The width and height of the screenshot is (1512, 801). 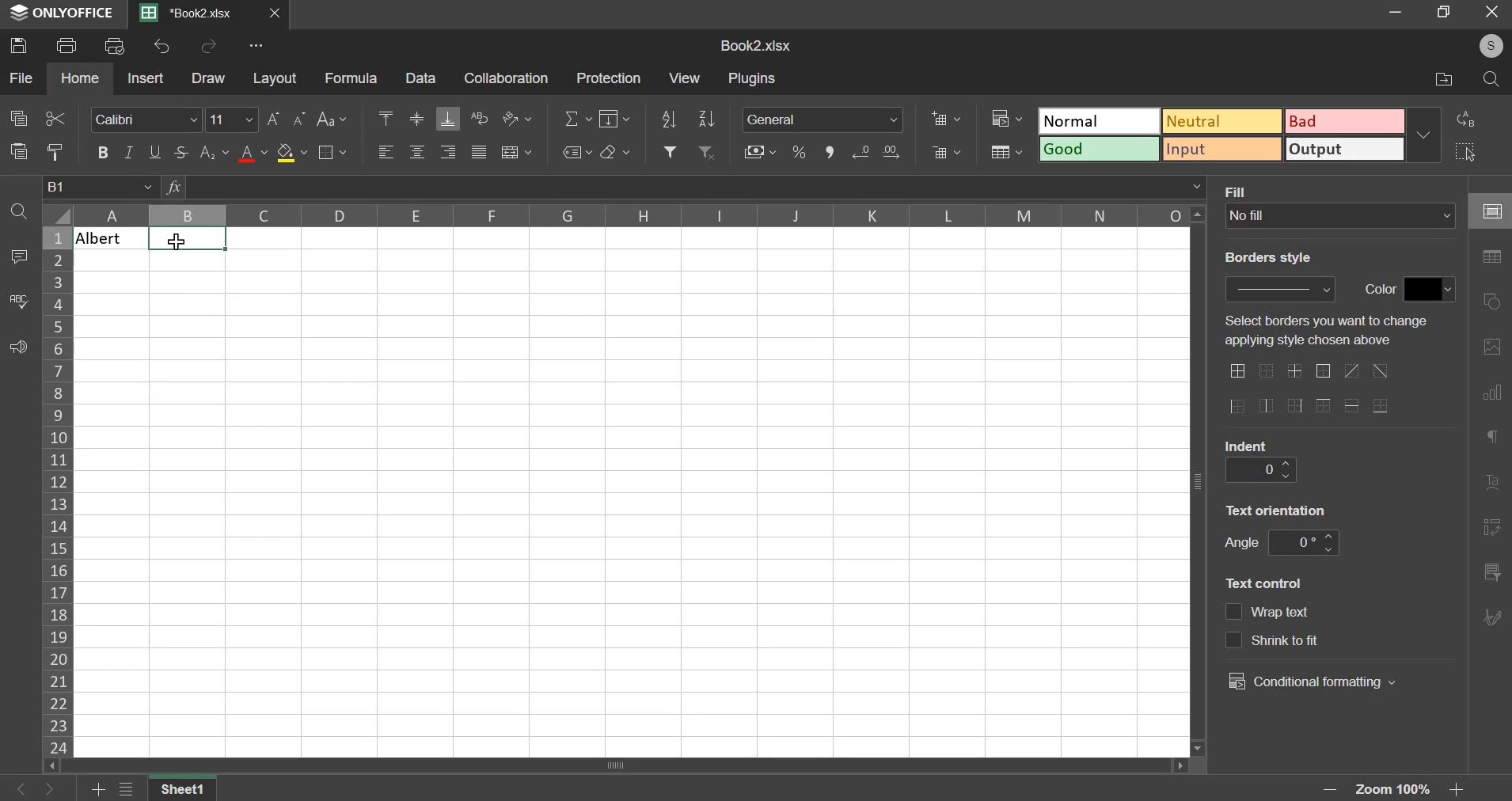 What do you see at coordinates (253, 154) in the screenshot?
I see `text color` at bounding box center [253, 154].